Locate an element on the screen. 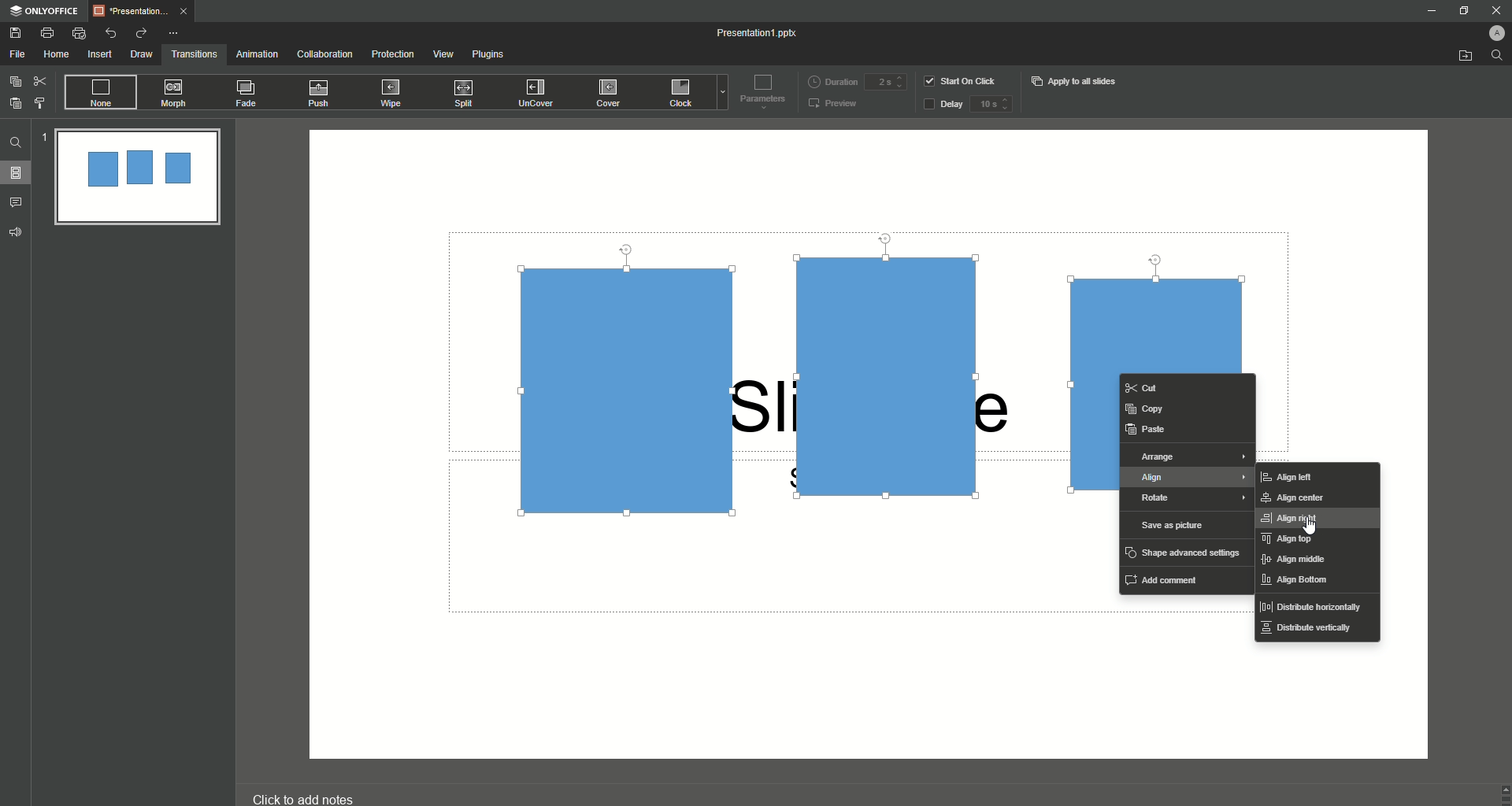  dropdown is located at coordinates (720, 94).